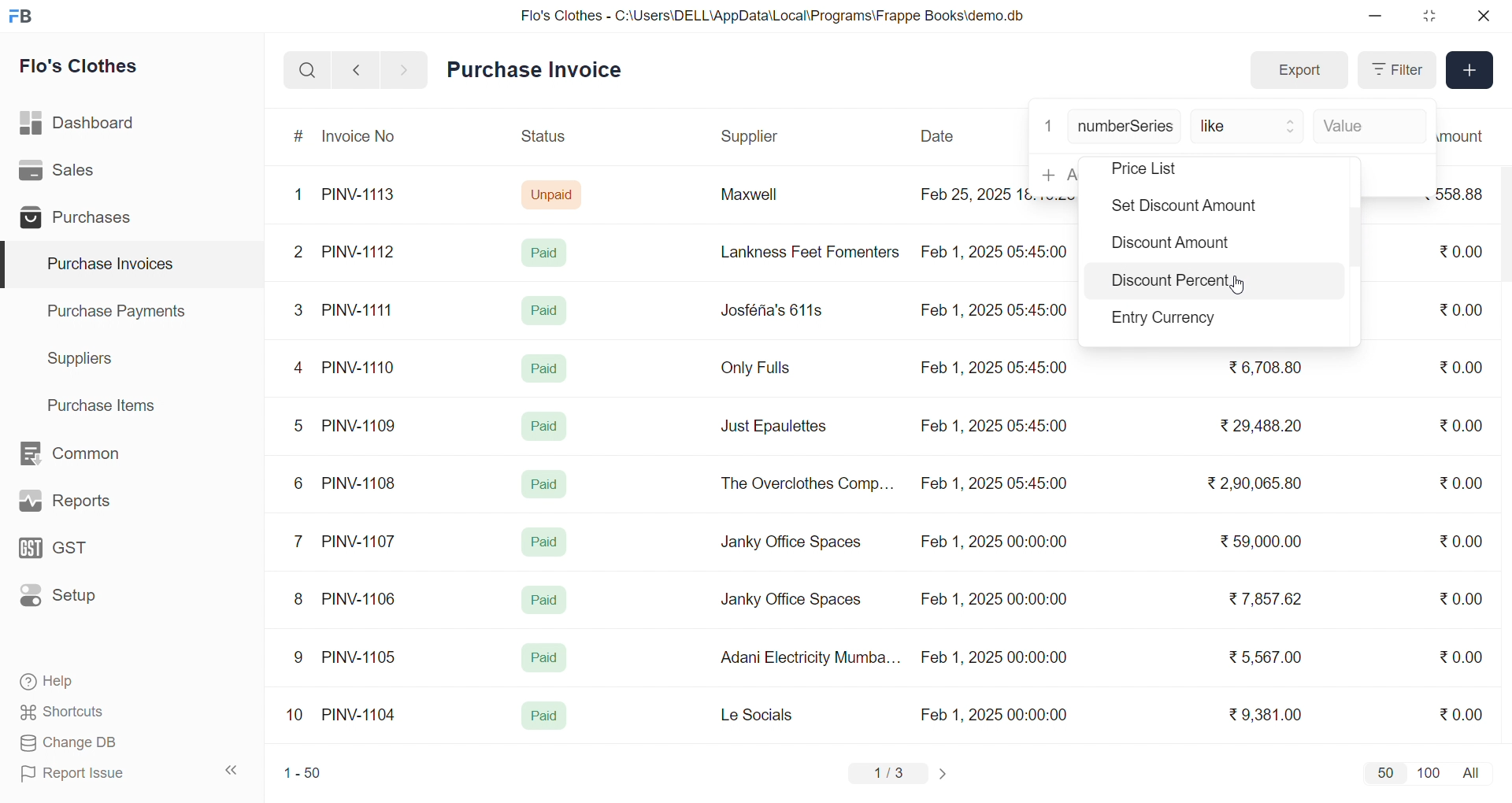 Image resolution: width=1512 pixels, height=803 pixels. I want to click on navigate forward, so click(406, 68).